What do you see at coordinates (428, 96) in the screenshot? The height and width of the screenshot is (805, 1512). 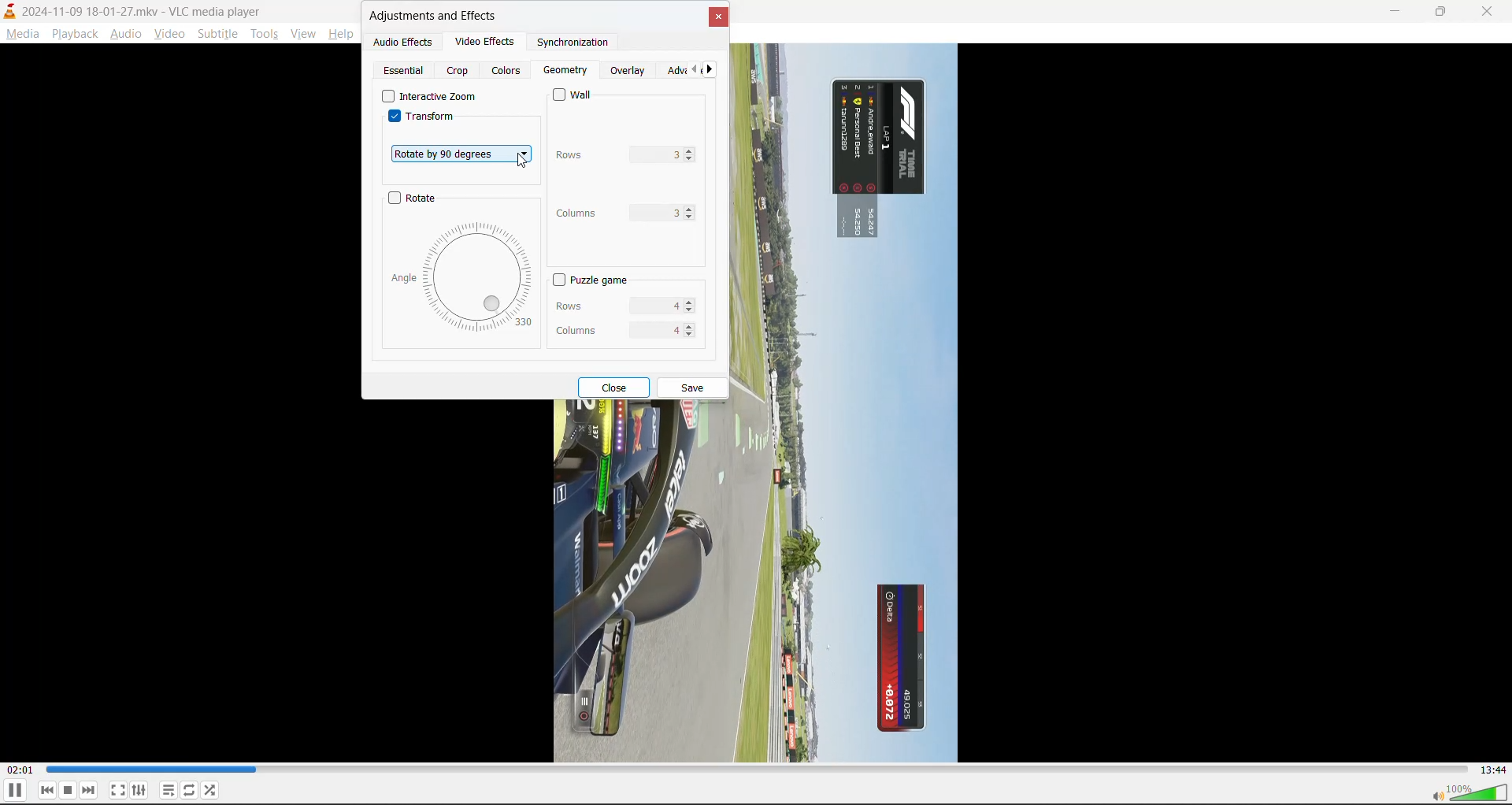 I see `interactive zoom` at bounding box center [428, 96].